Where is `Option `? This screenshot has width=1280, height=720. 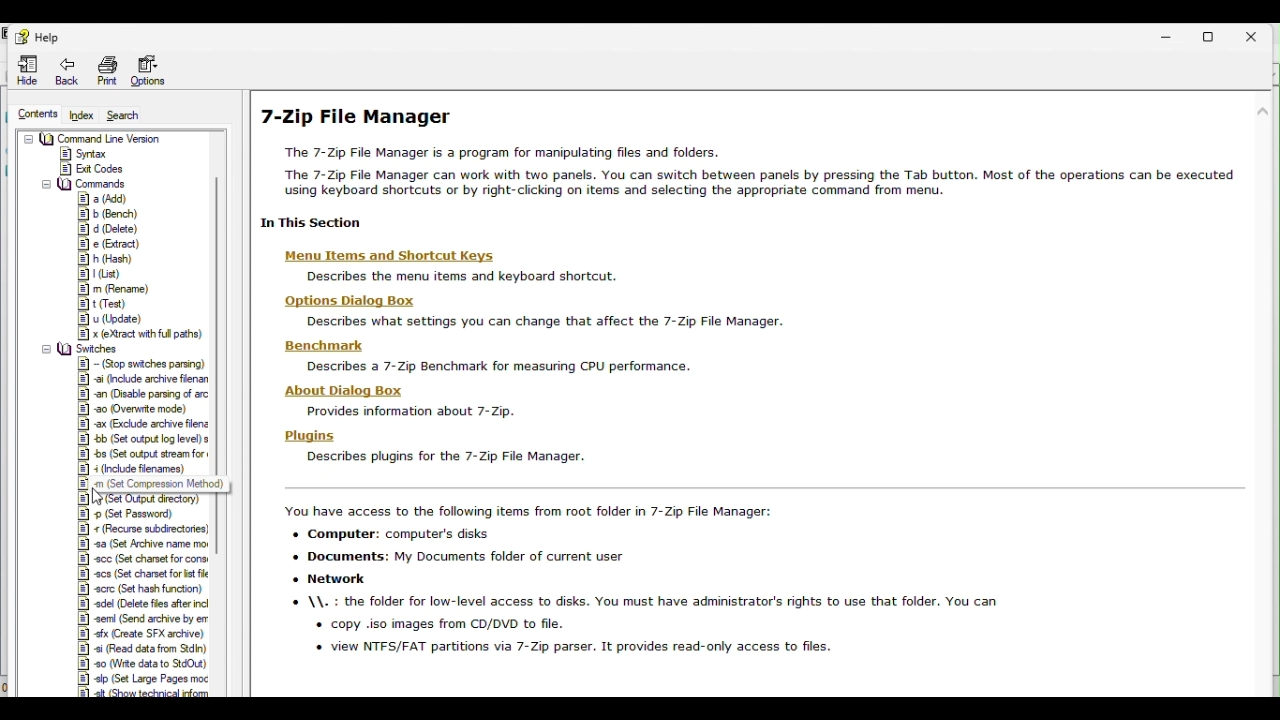
Option  is located at coordinates (149, 69).